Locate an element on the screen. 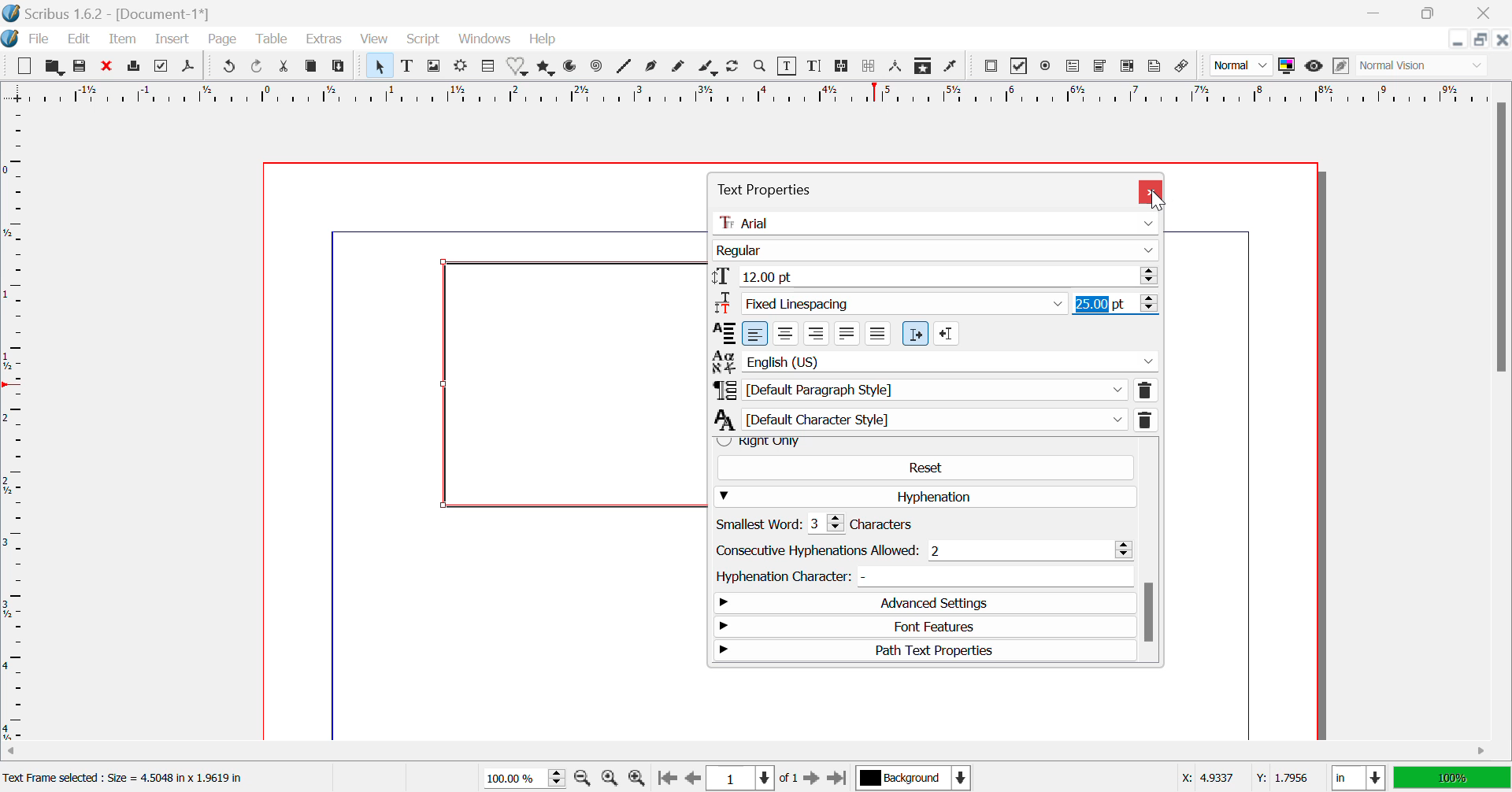  Undo is located at coordinates (228, 68).